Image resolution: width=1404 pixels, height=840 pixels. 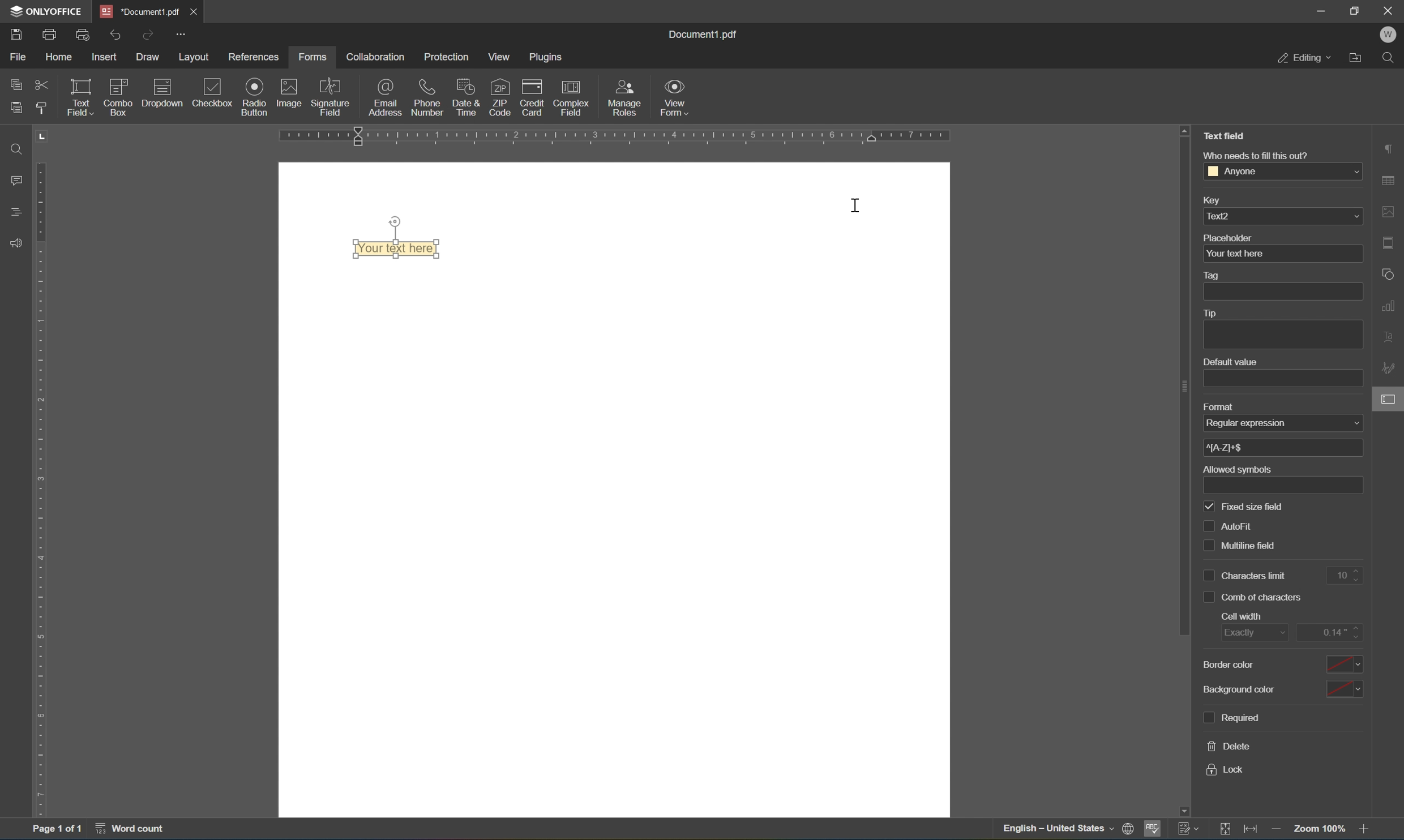 I want to click on copy style, so click(x=40, y=111).